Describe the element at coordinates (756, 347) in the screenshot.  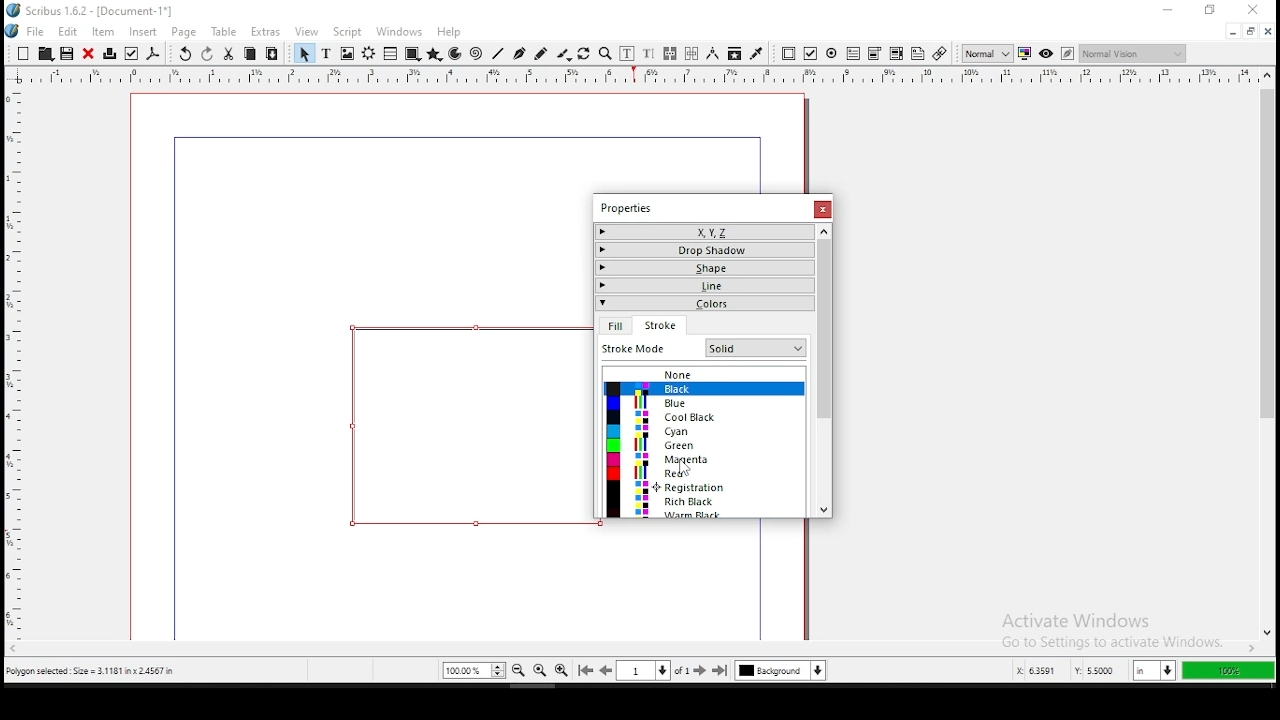
I see `` at that location.